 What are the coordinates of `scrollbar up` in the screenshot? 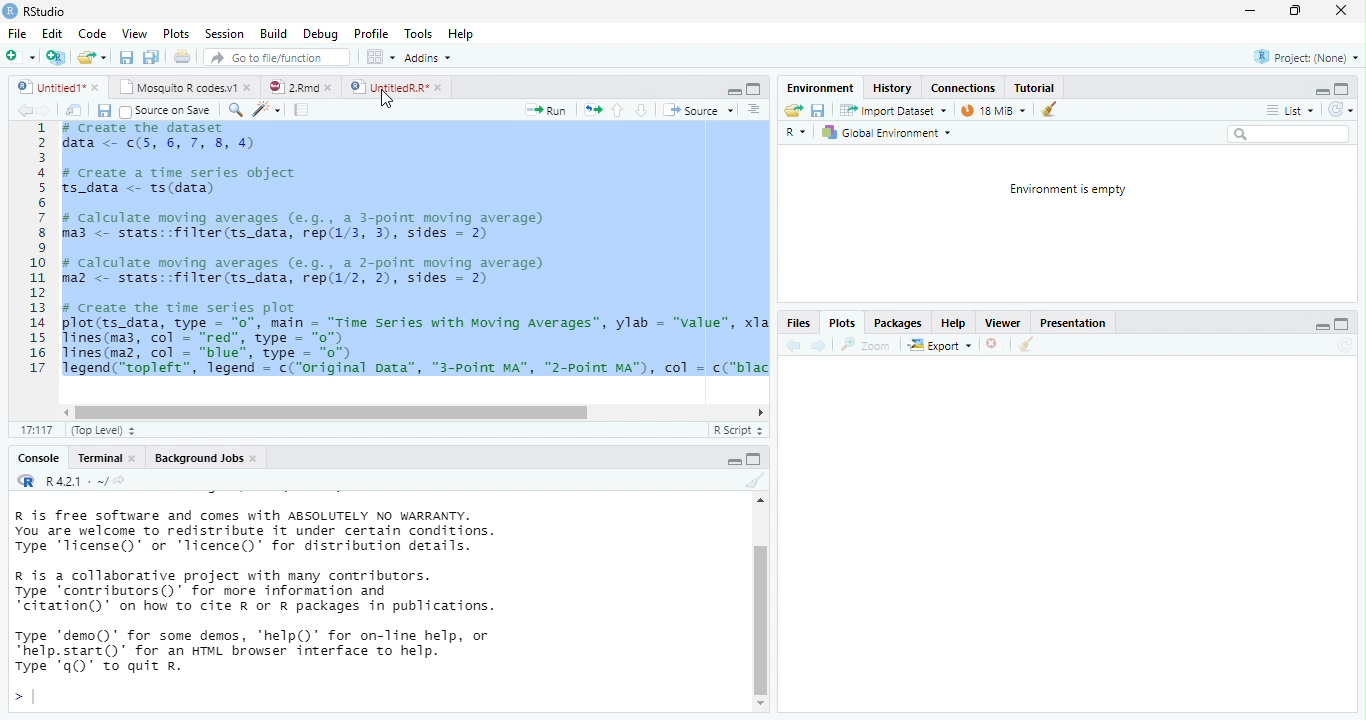 It's located at (758, 503).